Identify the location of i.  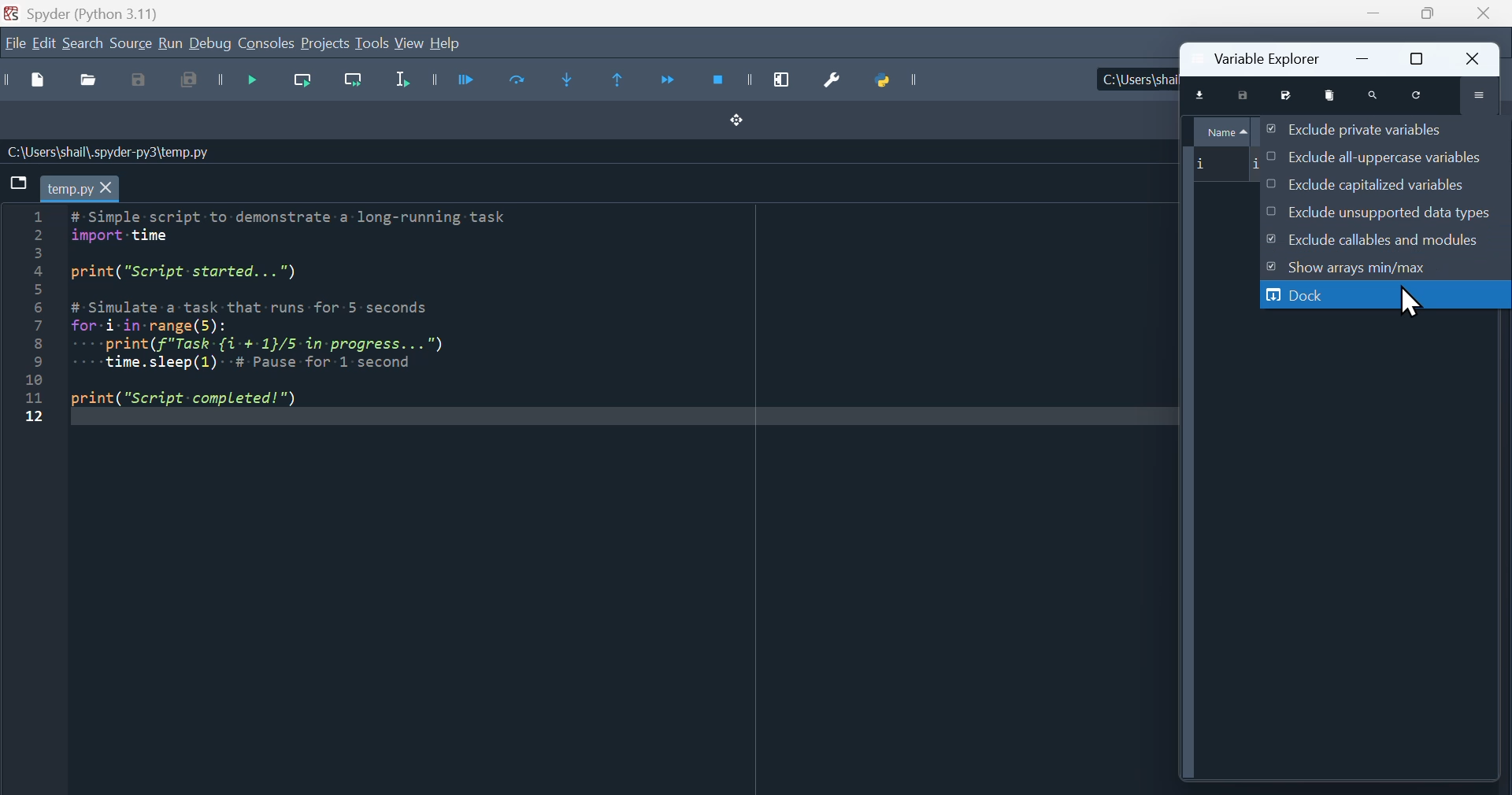
(1215, 165).